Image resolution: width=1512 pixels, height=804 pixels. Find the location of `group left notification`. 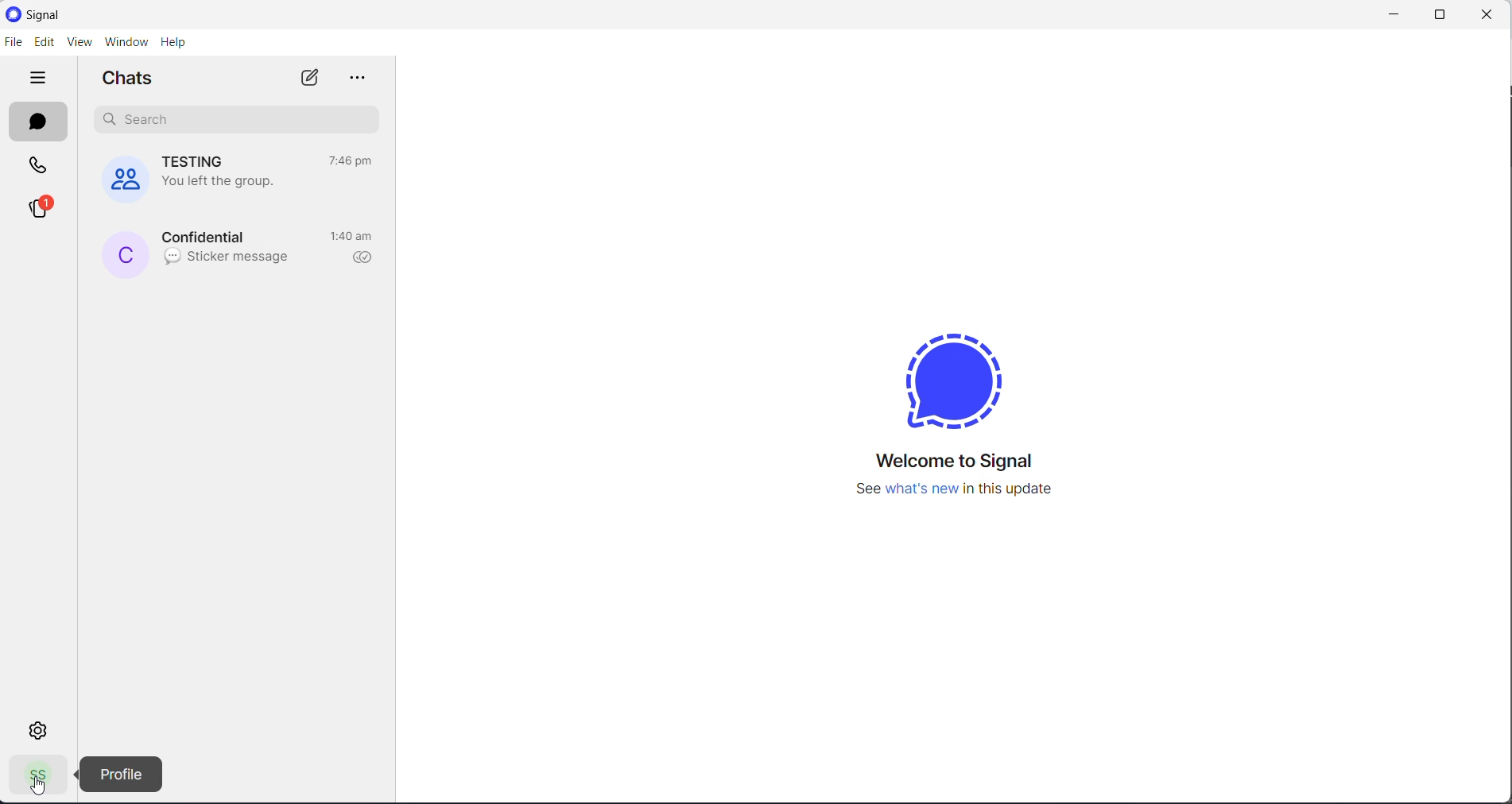

group left notification is located at coordinates (218, 185).